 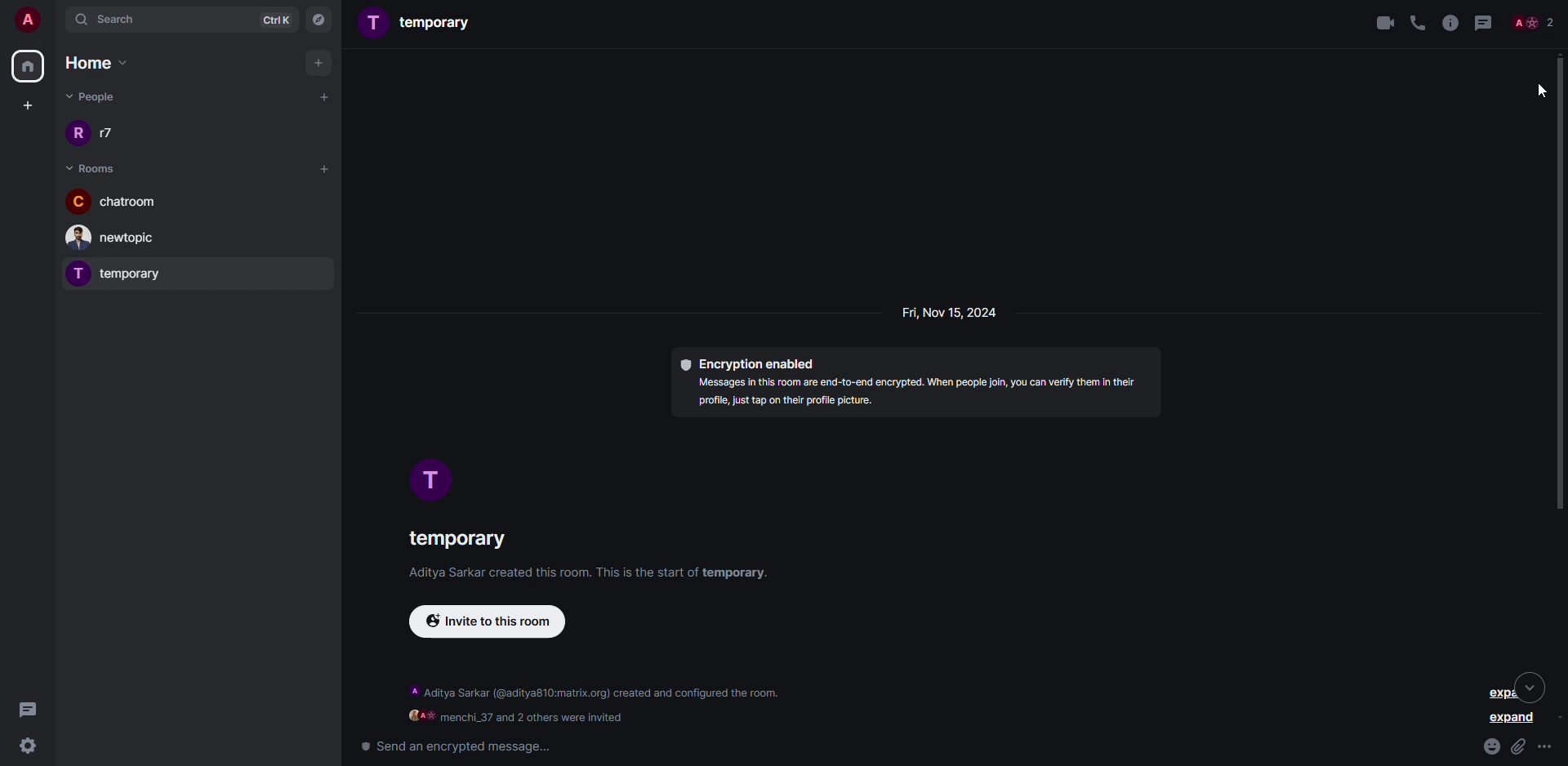 What do you see at coordinates (118, 238) in the screenshot?
I see `newtopic` at bounding box center [118, 238].